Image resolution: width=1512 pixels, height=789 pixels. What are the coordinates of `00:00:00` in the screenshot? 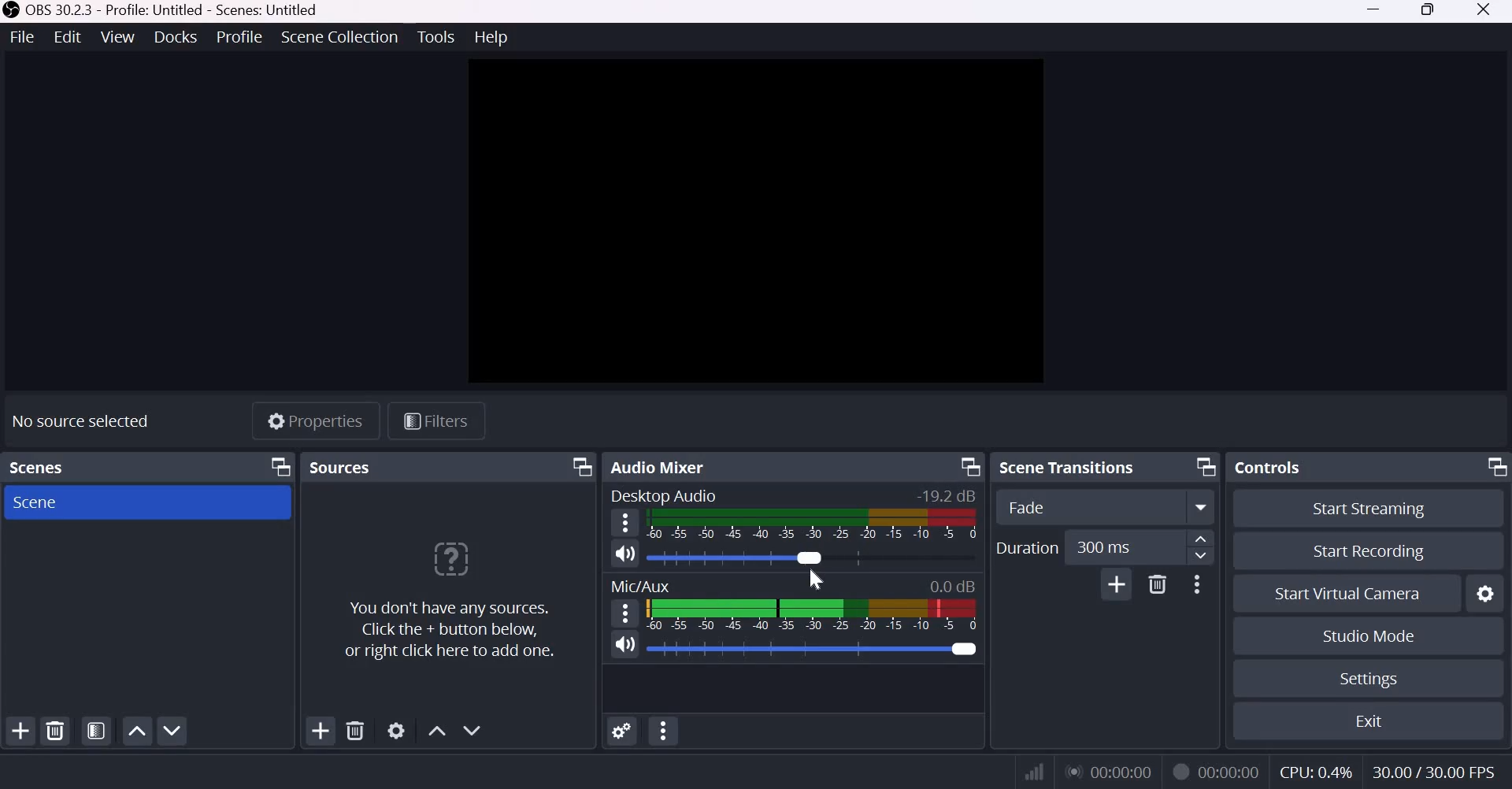 It's located at (1110, 771).